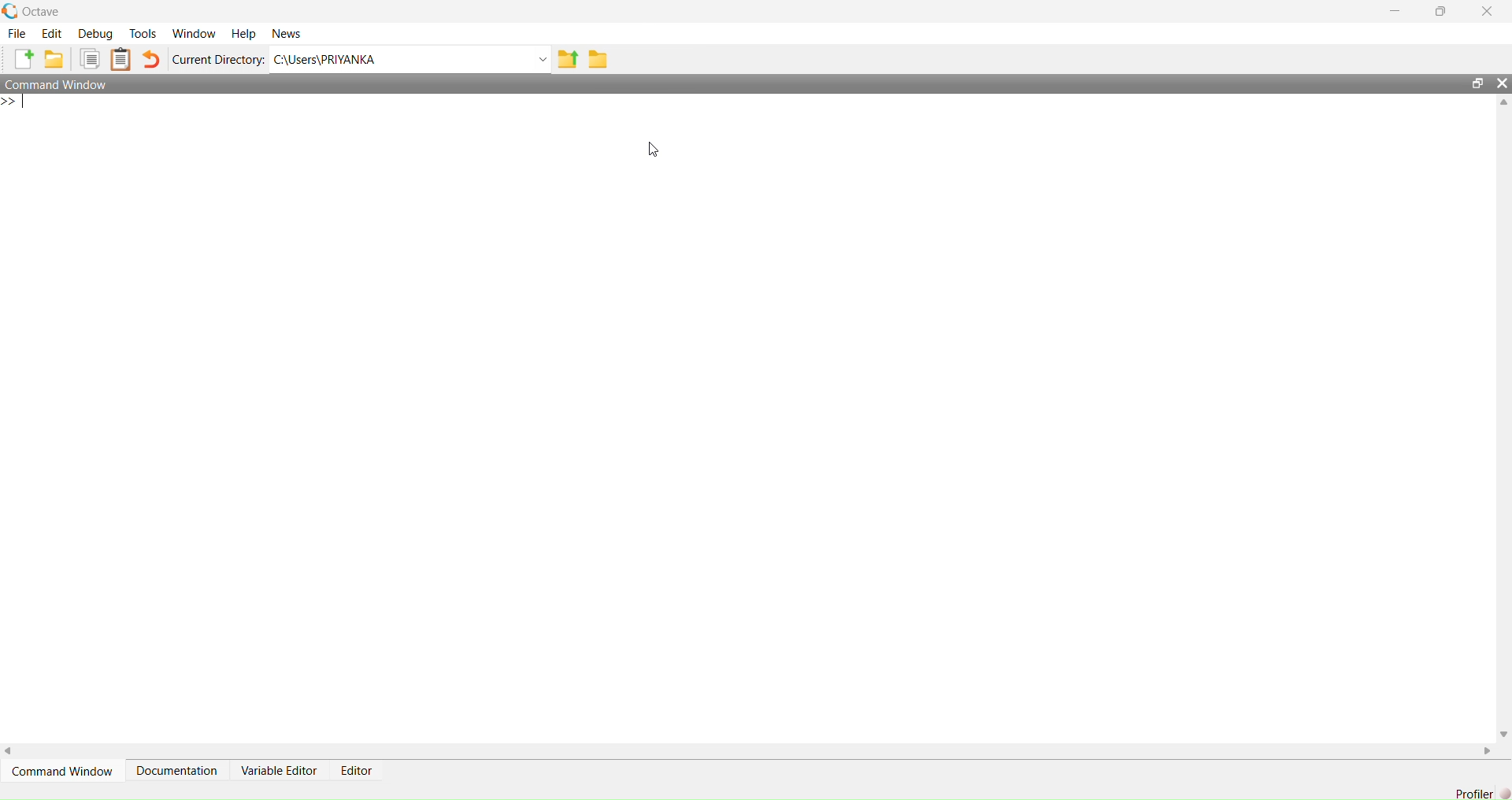  What do you see at coordinates (21, 59) in the screenshot?
I see `New script` at bounding box center [21, 59].